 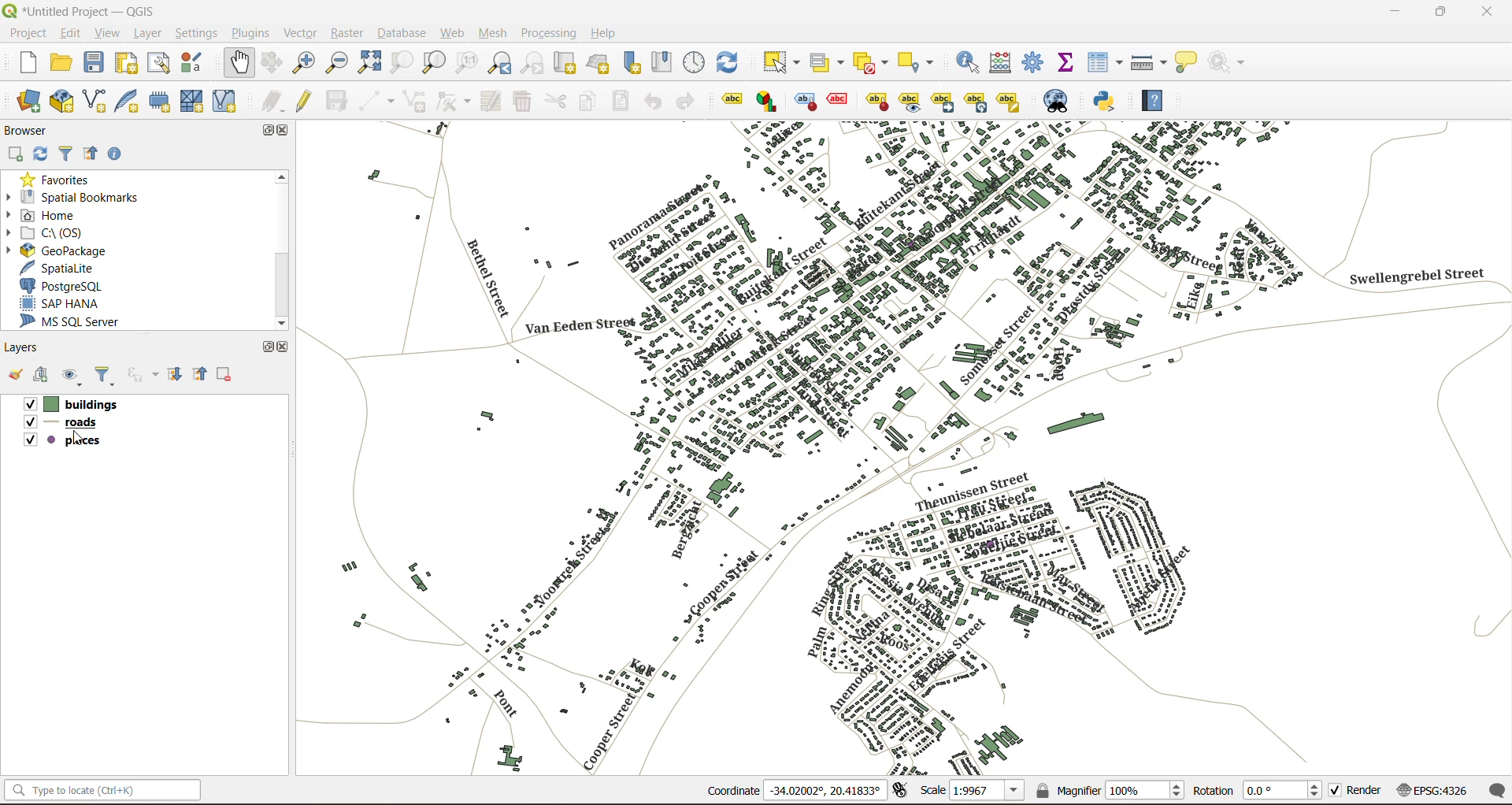 I want to click on paste, so click(x=622, y=99).